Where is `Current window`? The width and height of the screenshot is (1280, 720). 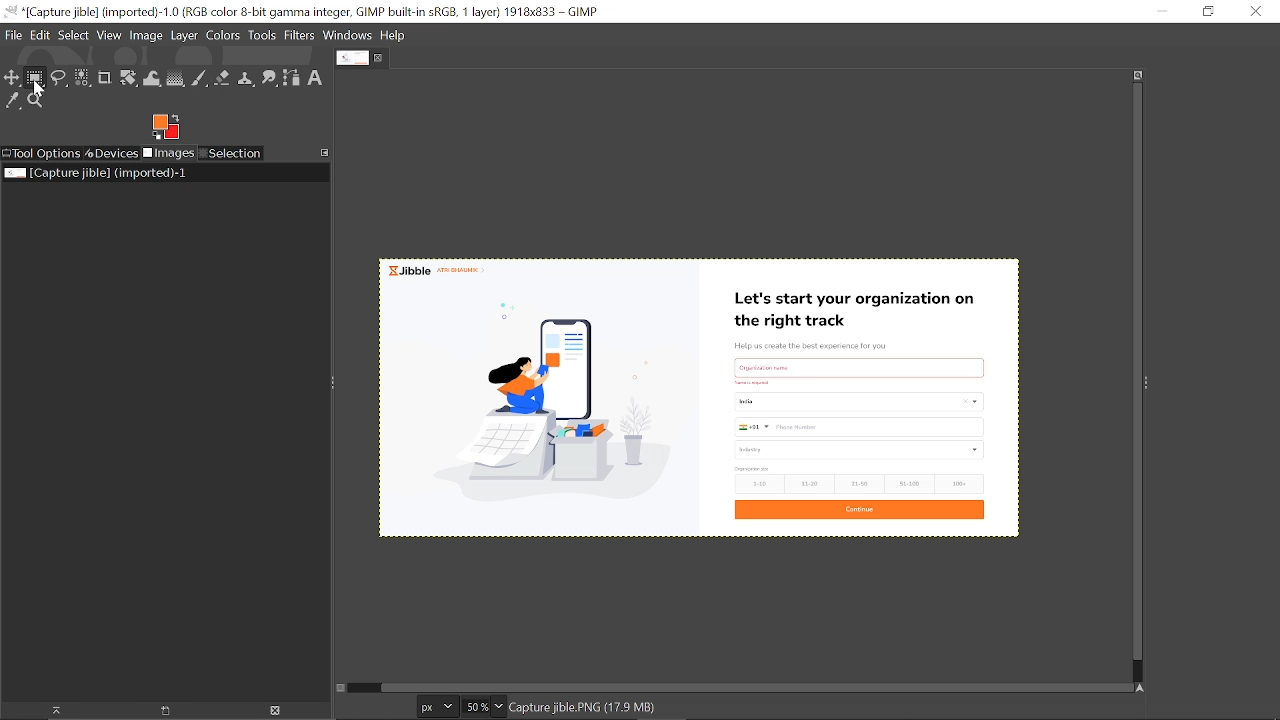 Current window is located at coordinates (309, 12).